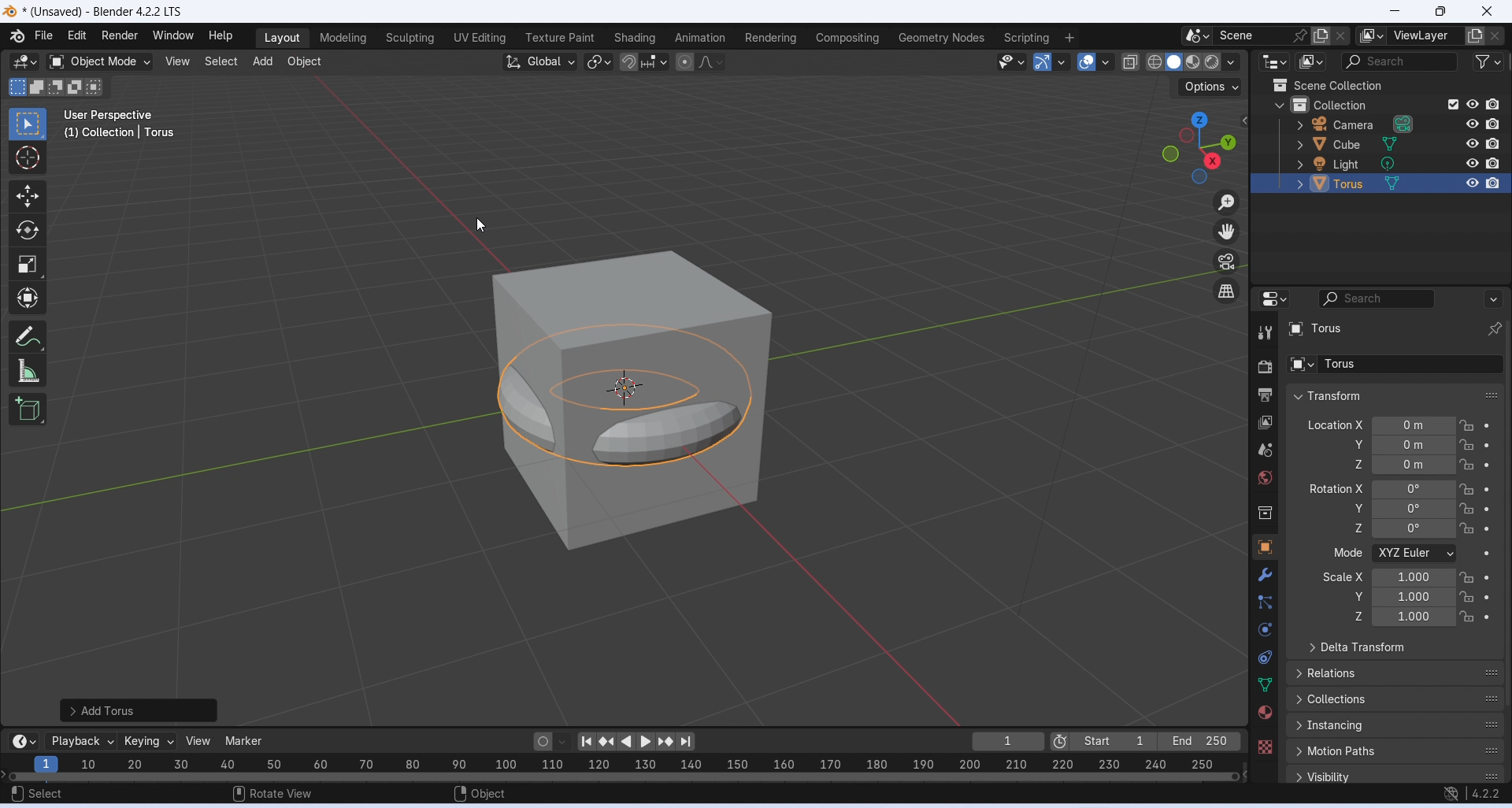 The image size is (1512, 808). Describe the element at coordinates (261, 61) in the screenshot. I see `Add` at that location.